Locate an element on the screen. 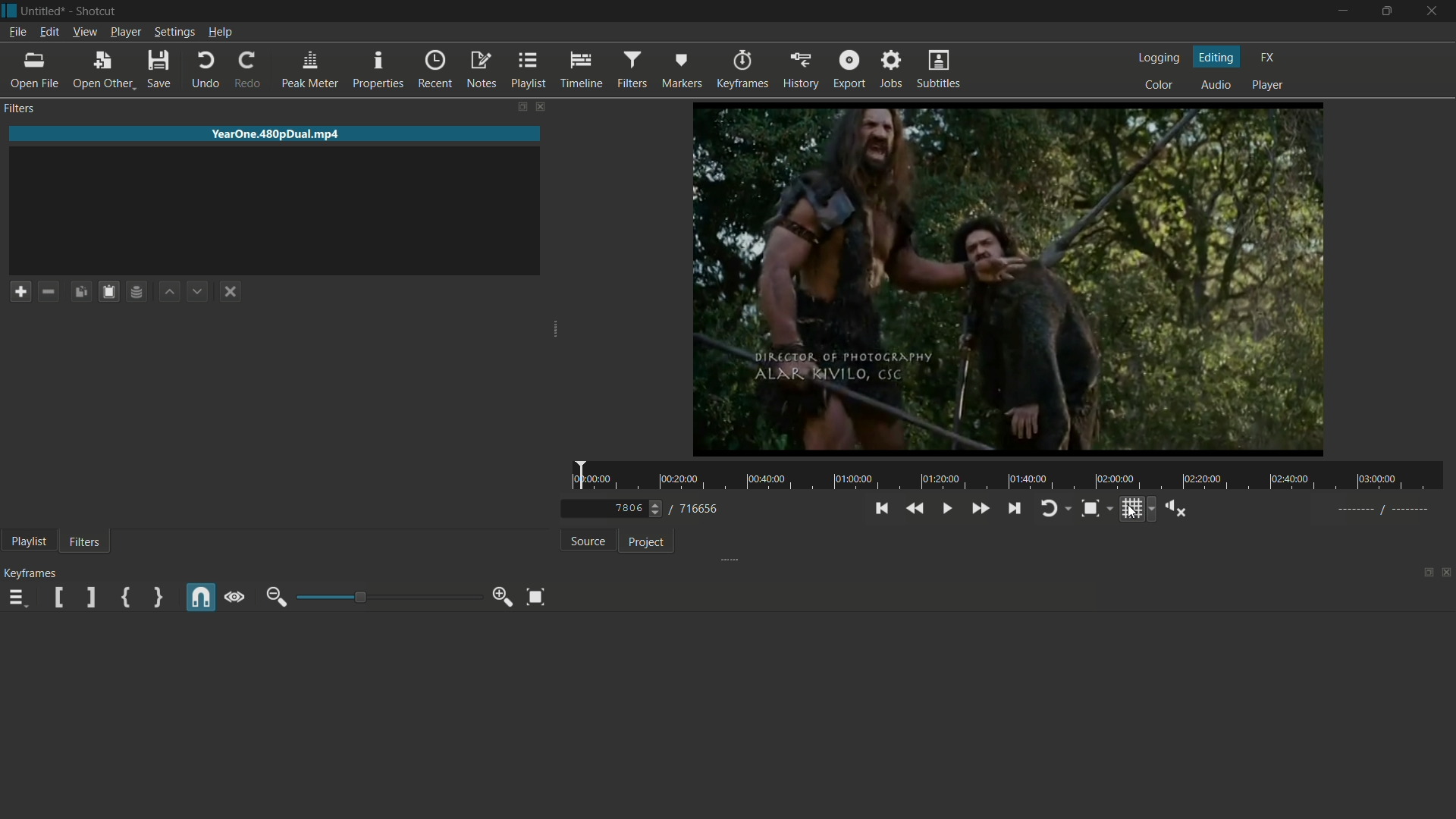 The width and height of the screenshot is (1456, 819). set filter end is located at coordinates (89, 598).